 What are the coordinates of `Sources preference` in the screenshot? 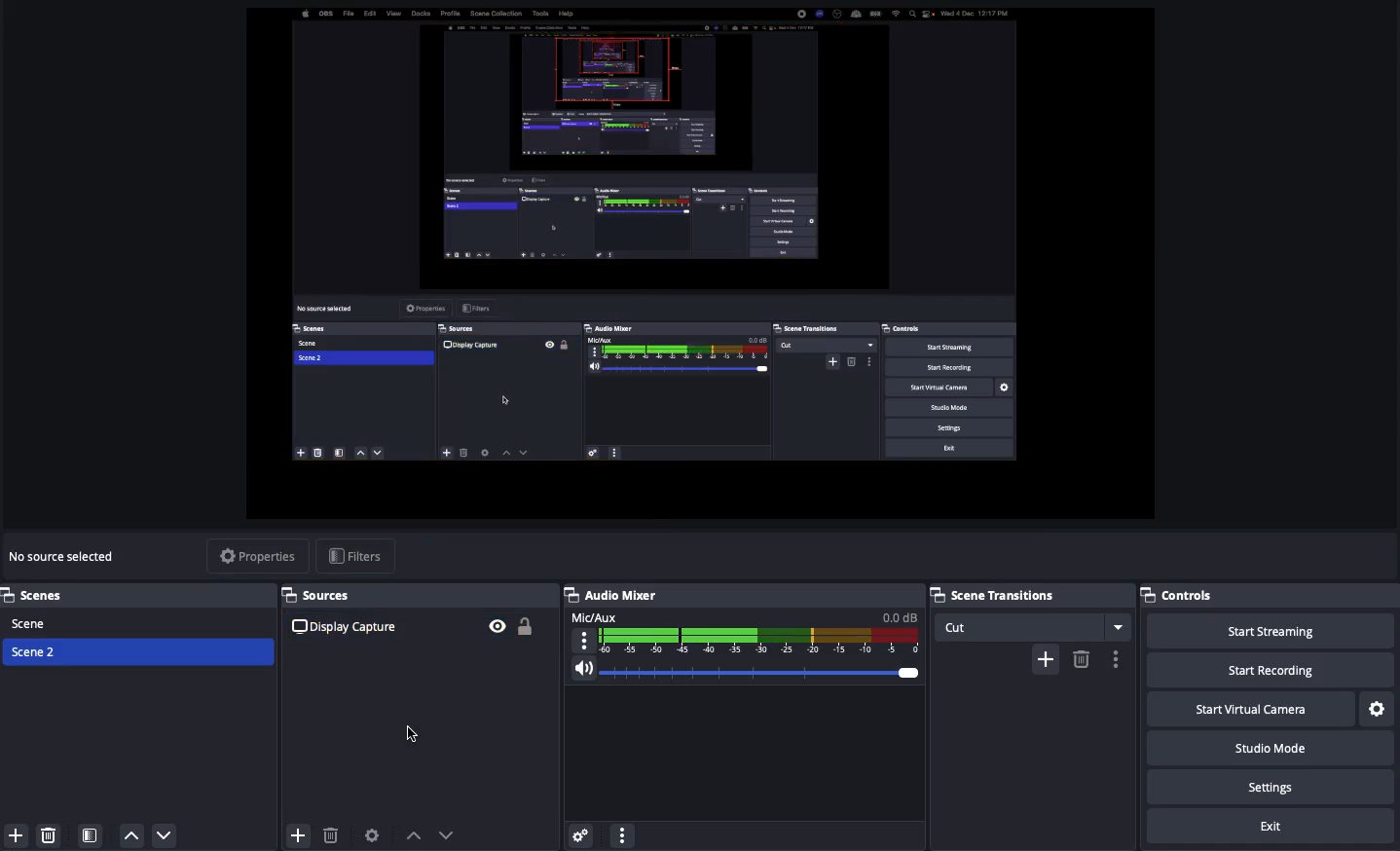 It's located at (373, 835).